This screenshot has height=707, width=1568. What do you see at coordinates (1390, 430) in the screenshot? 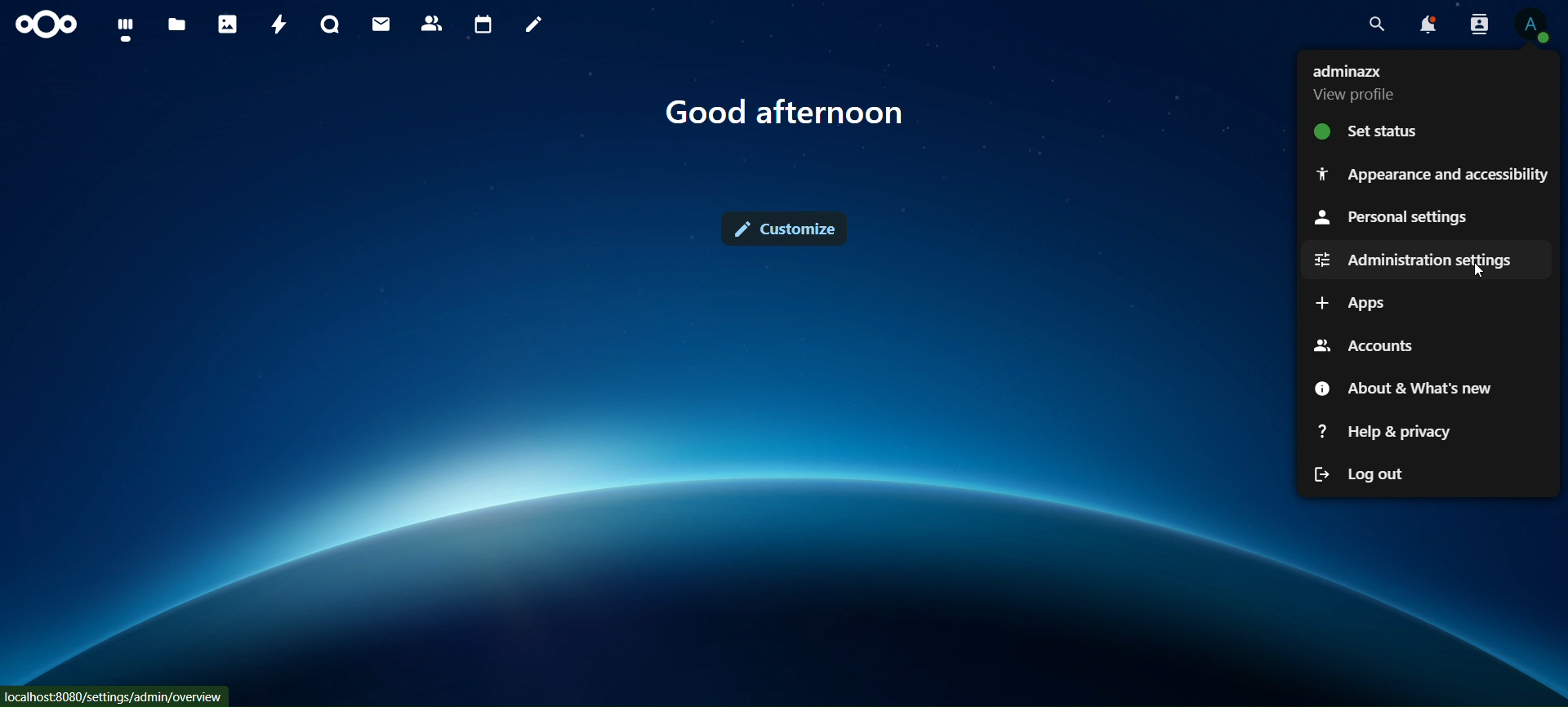
I see `help & privacy` at bounding box center [1390, 430].